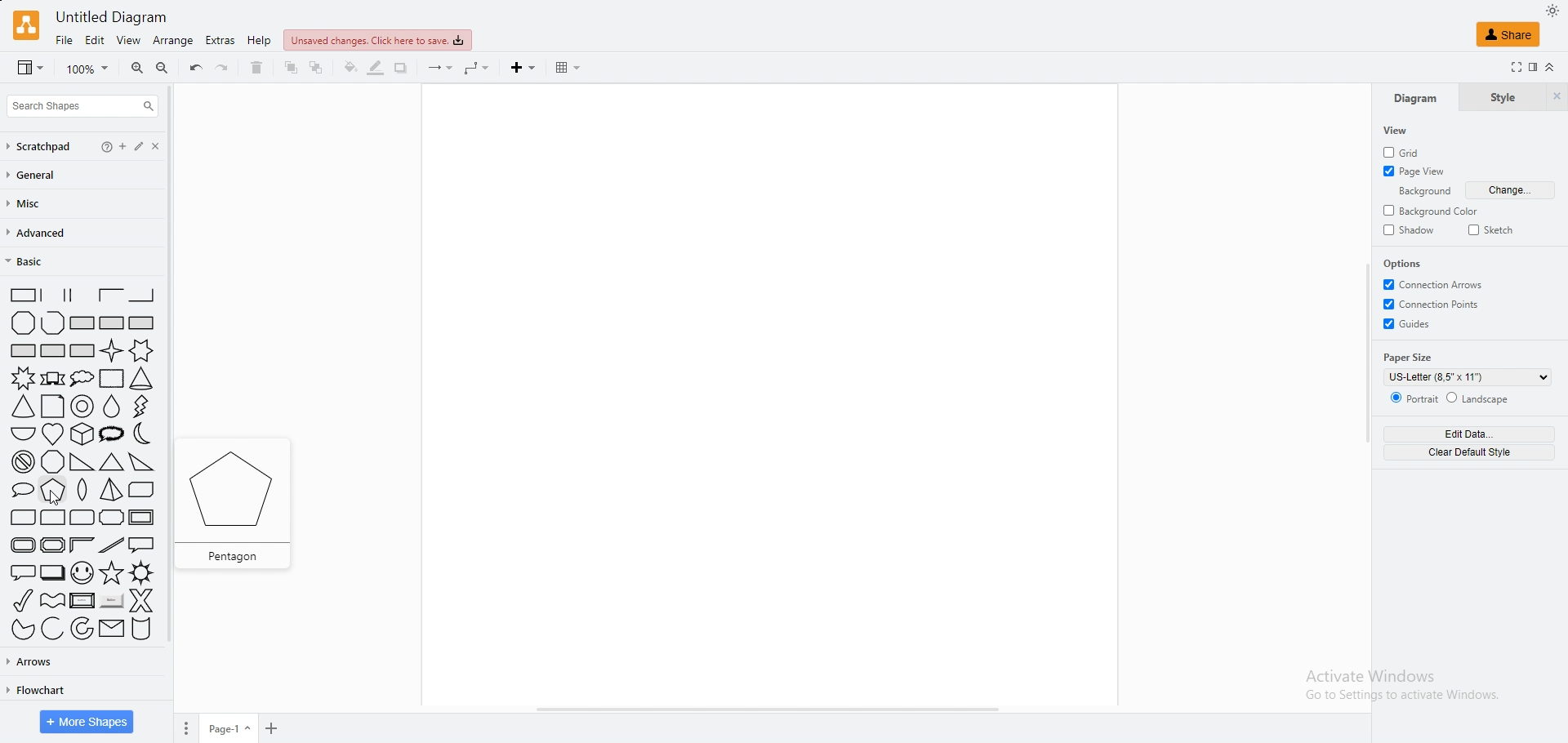 The width and height of the screenshot is (1568, 743). Describe the element at coordinates (292, 68) in the screenshot. I see `to front` at that location.